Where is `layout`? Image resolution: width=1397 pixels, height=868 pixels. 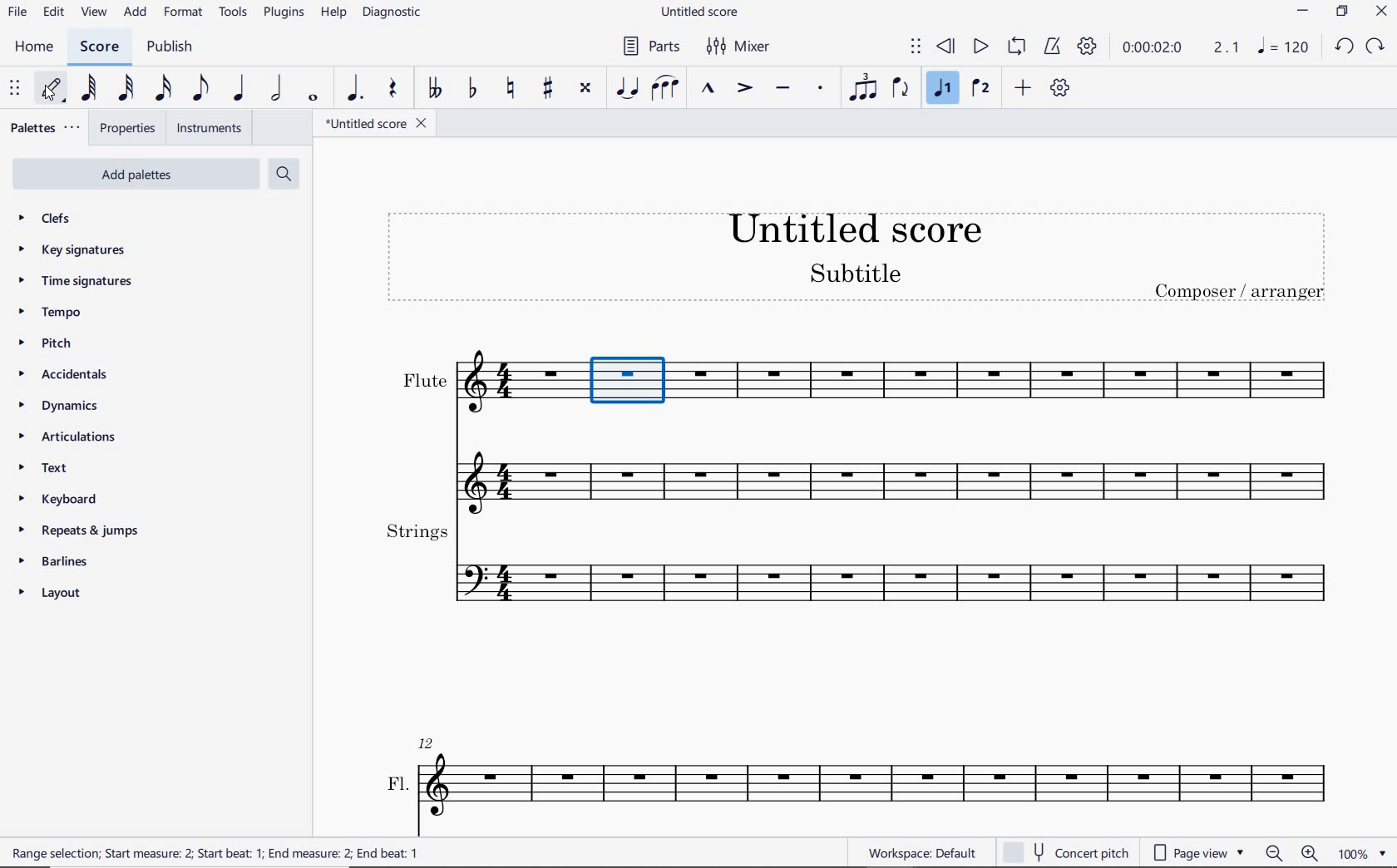 layout is located at coordinates (53, 595).